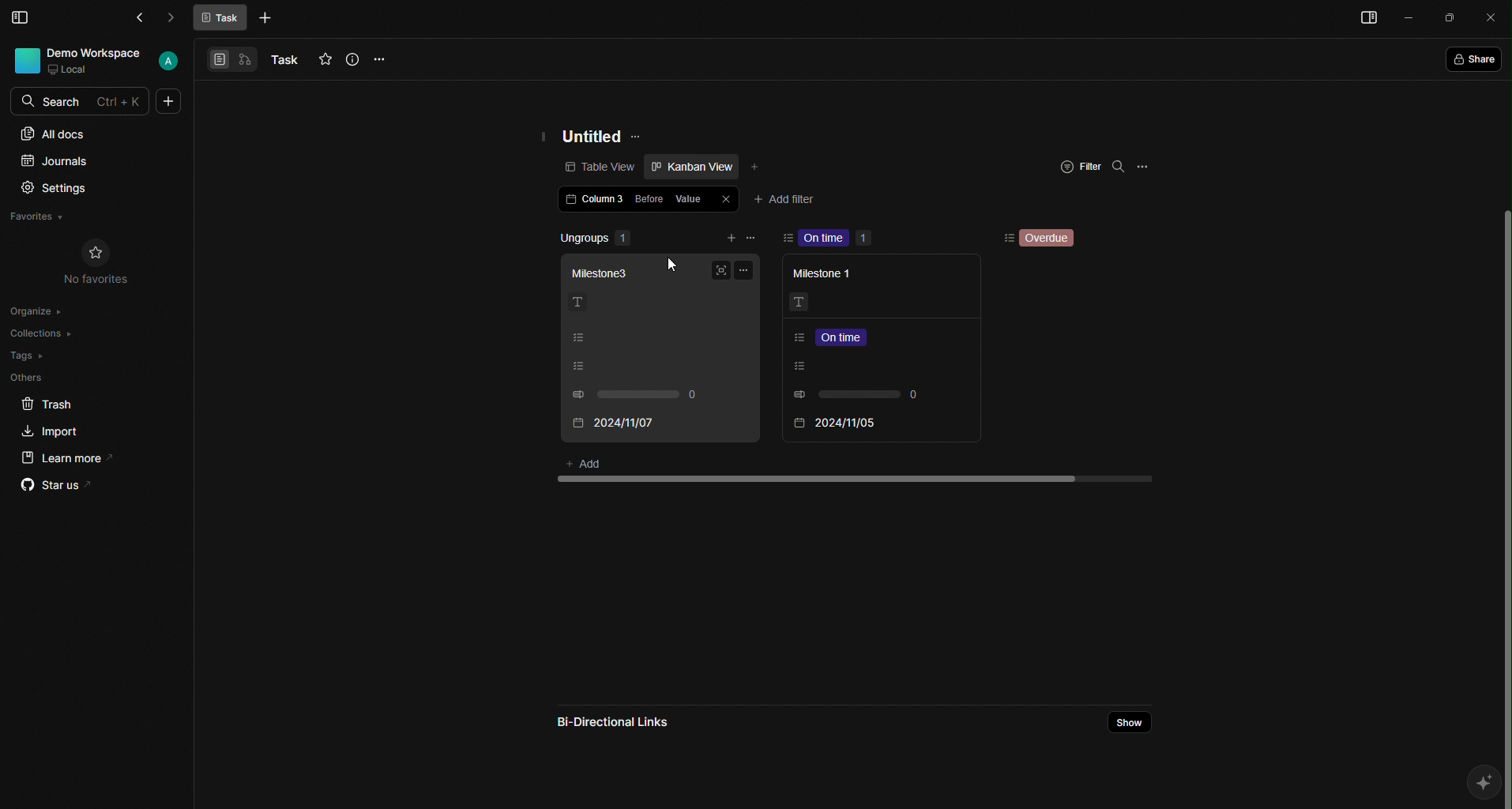 Image resolution: width=1512 pixels, height=809 pixels. I want to click on Close, so click(1493, 16).